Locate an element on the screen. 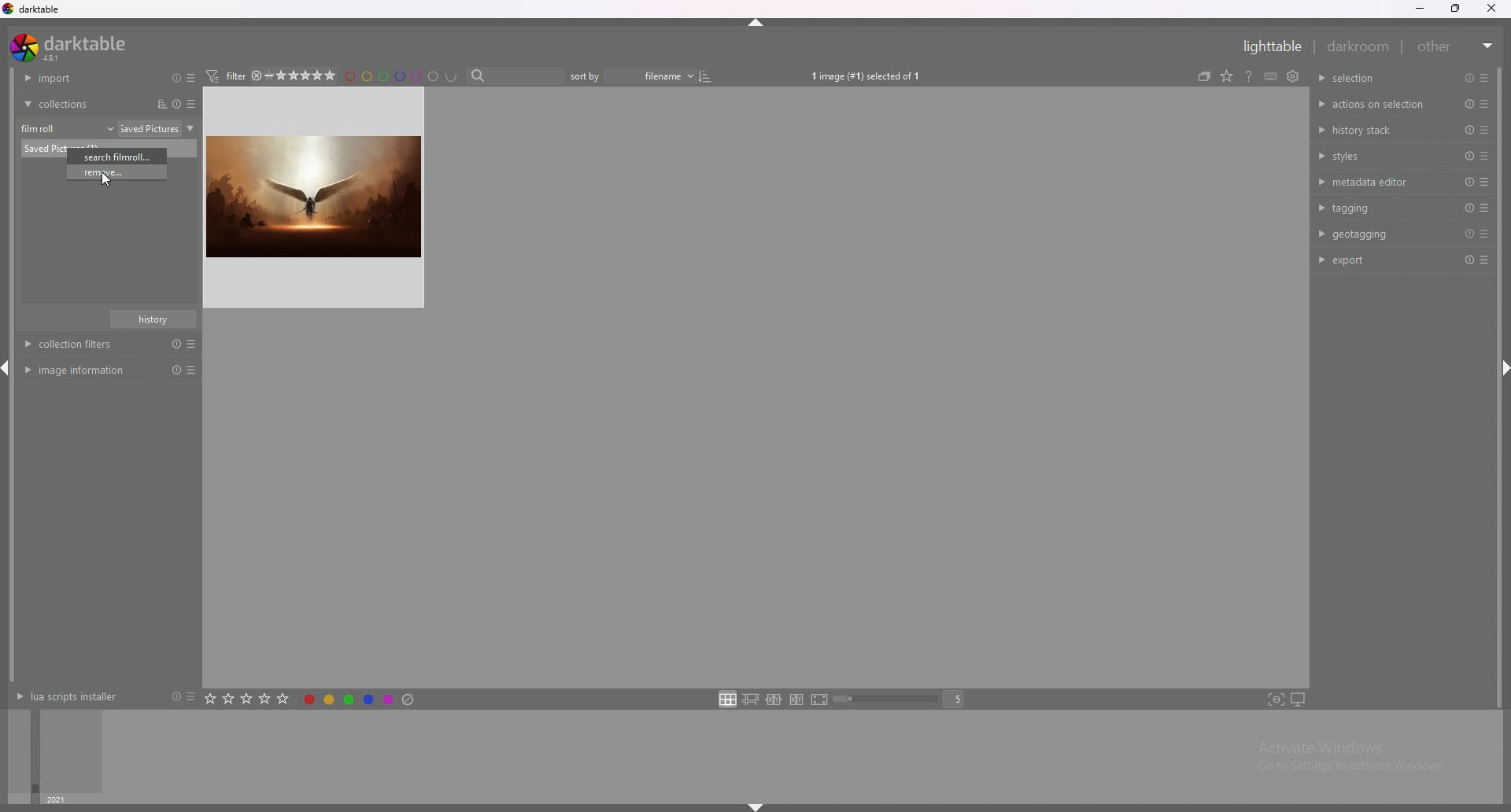 The image size is (1511, 812). resets is located at coordinates (173, 77).